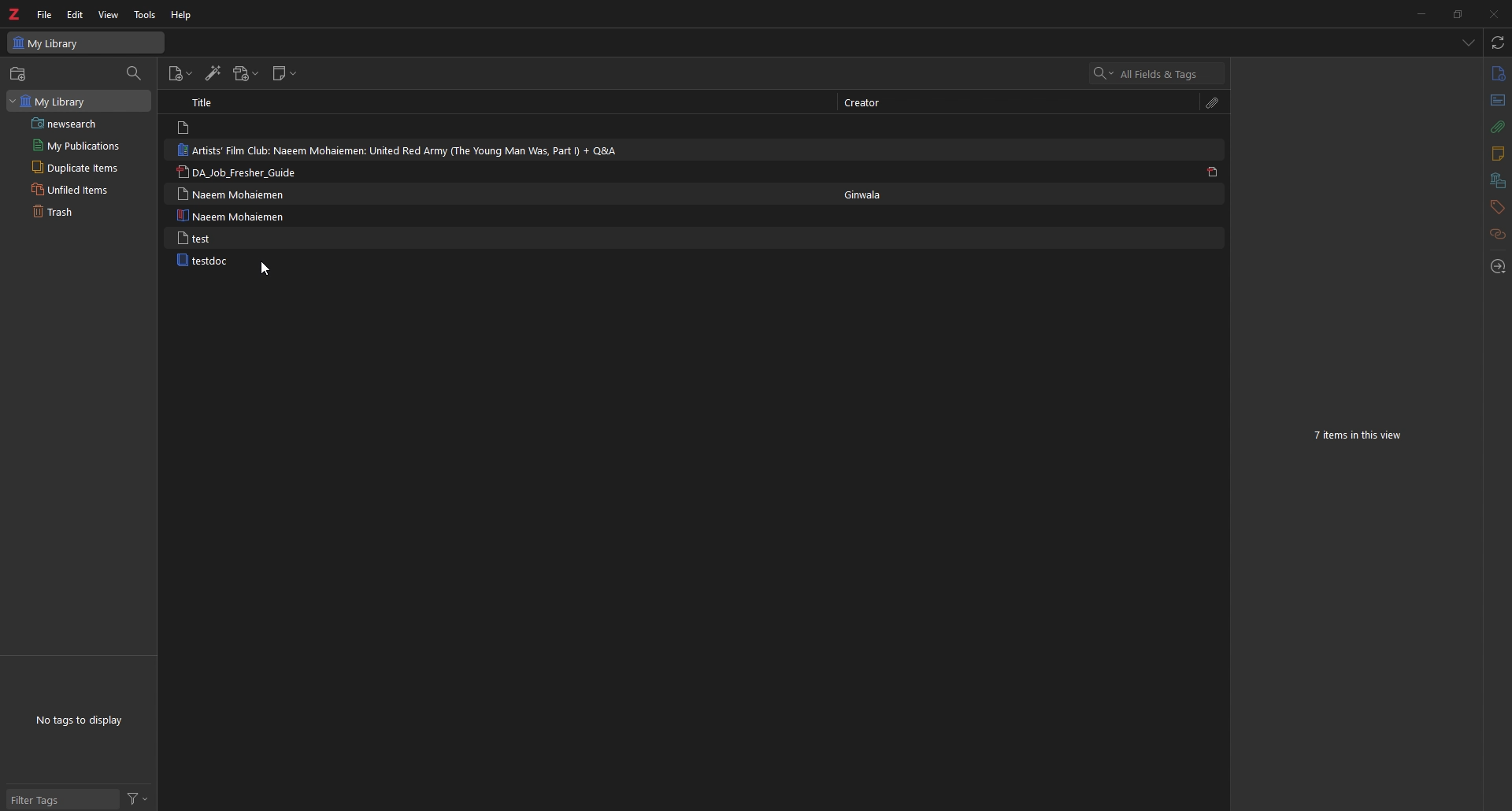  I want to click on edit, so click(76, 14).